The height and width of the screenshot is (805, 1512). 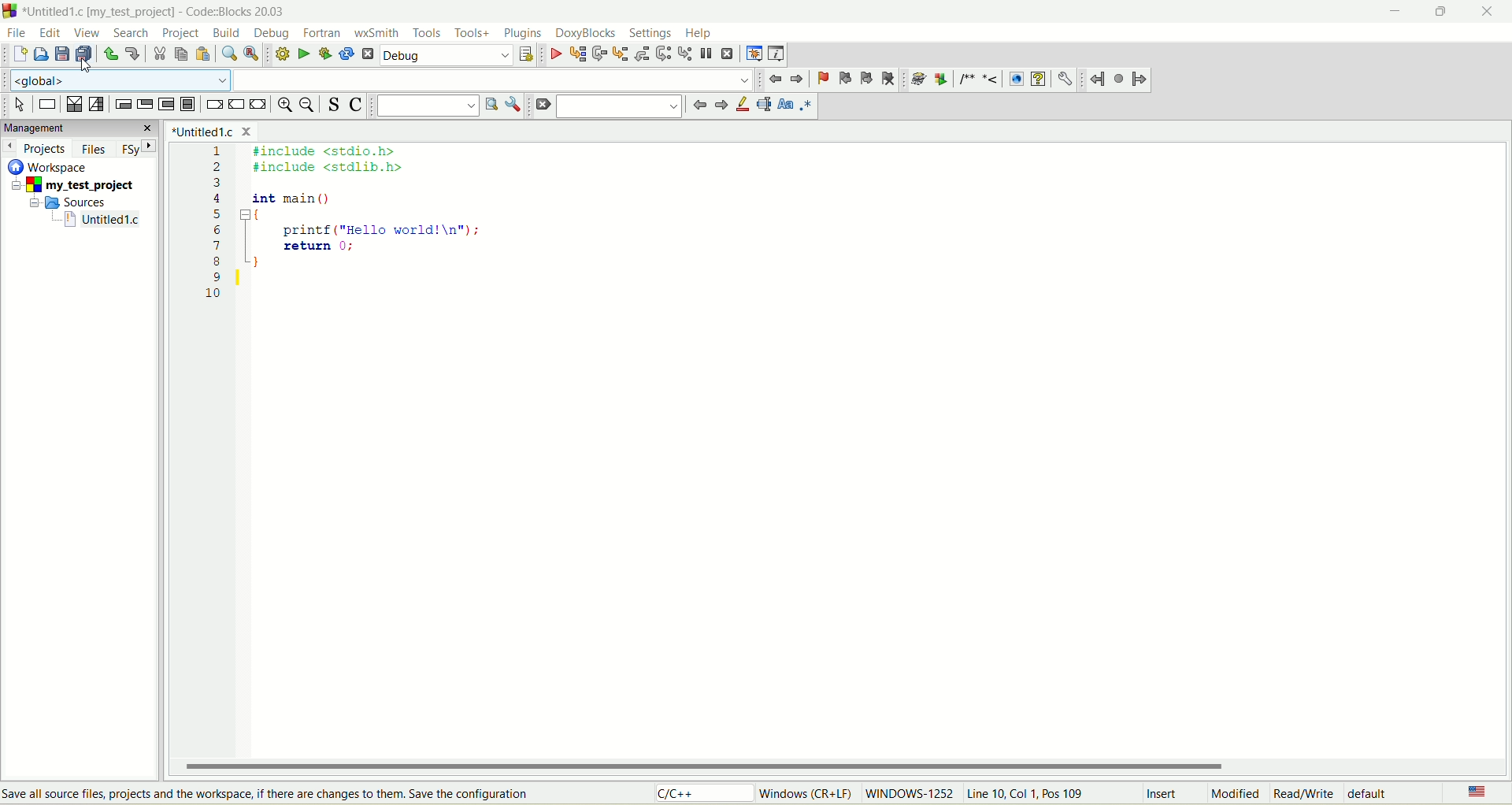 I want to click on *Untitled1.c [my_test_project] - Code::Blocks 20.03, so click(x=157, y=12).